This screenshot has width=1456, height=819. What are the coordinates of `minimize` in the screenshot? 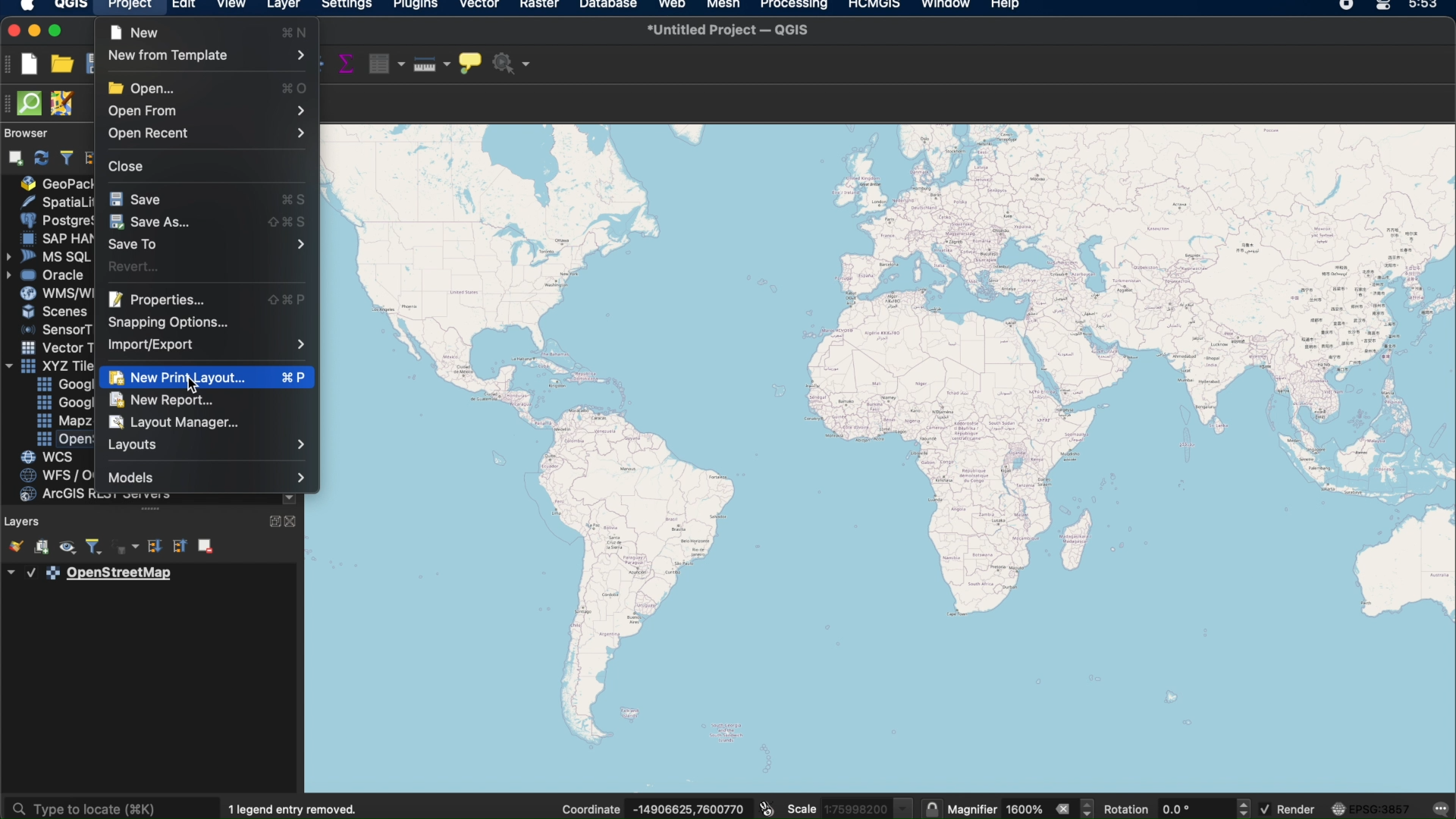 It's located at (36, 30).